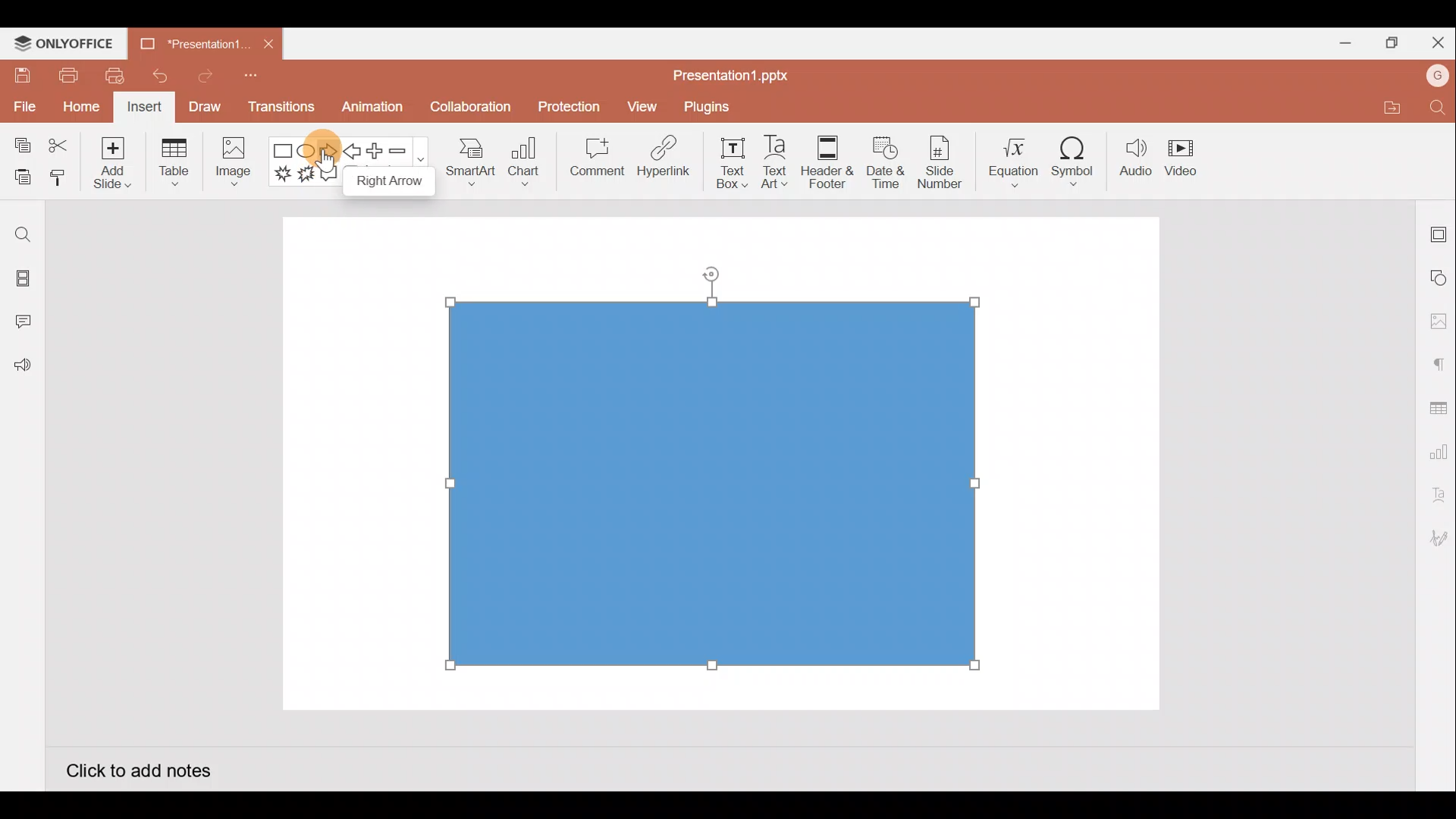 This screenshot has height=819, width=1456. I want to click on Rectangle, so click(284, 152).